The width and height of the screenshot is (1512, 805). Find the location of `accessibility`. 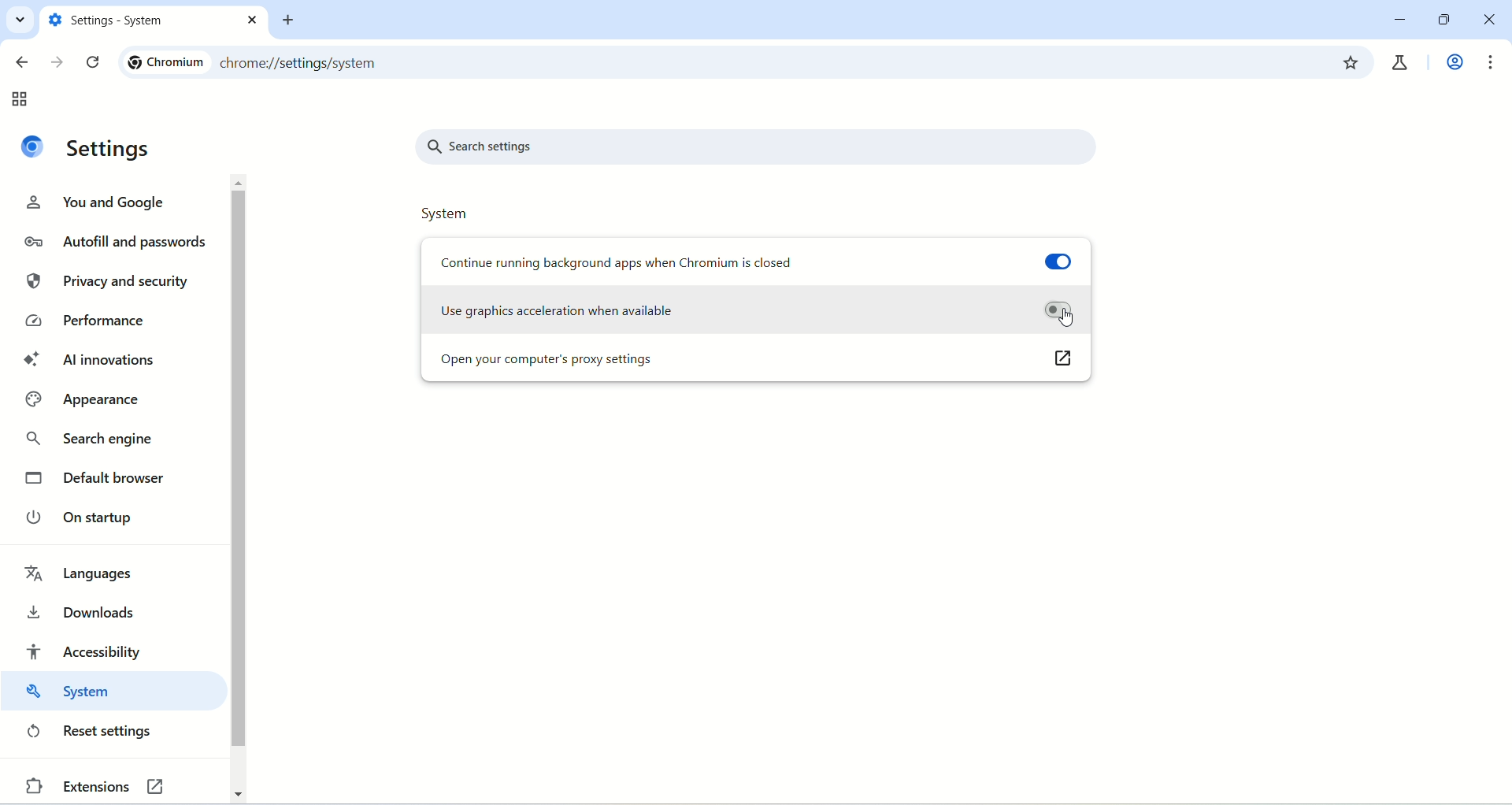

accessibility is located at coordinates (87, 648).